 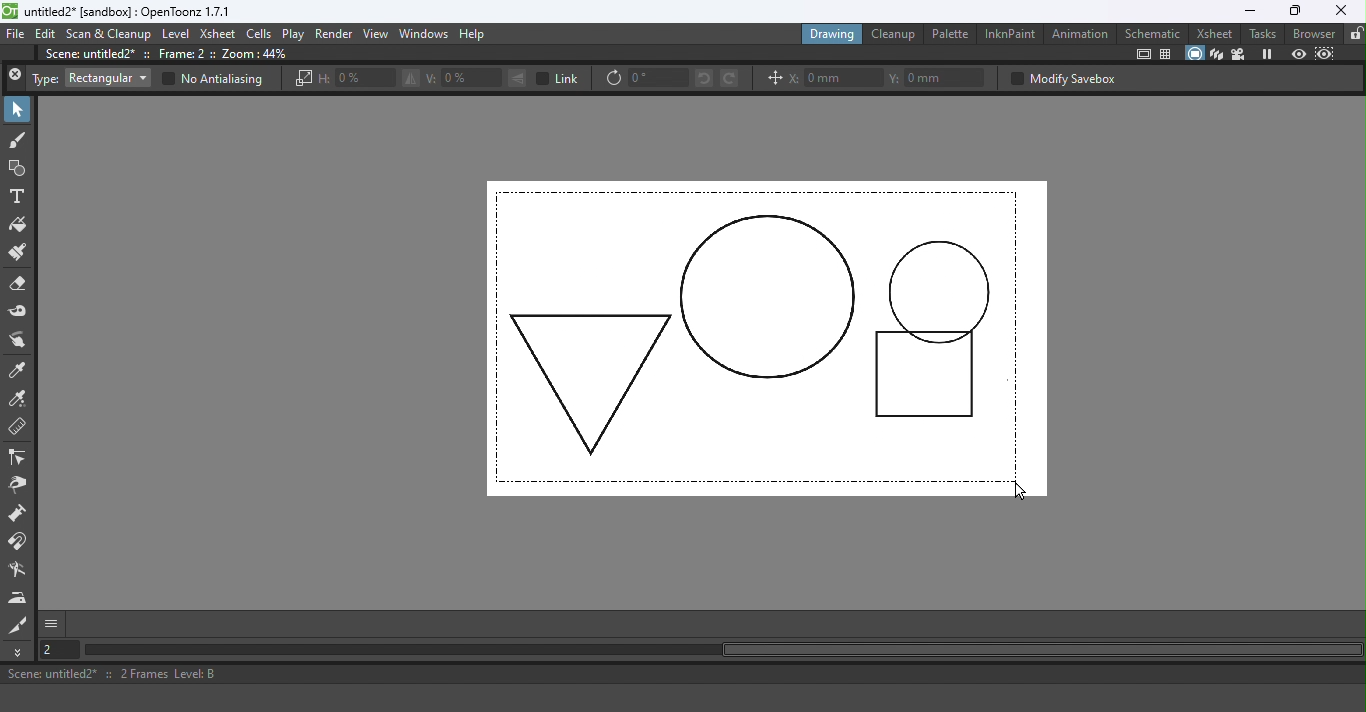 I want to click on Magnet tool, so click(x=20, y=543).